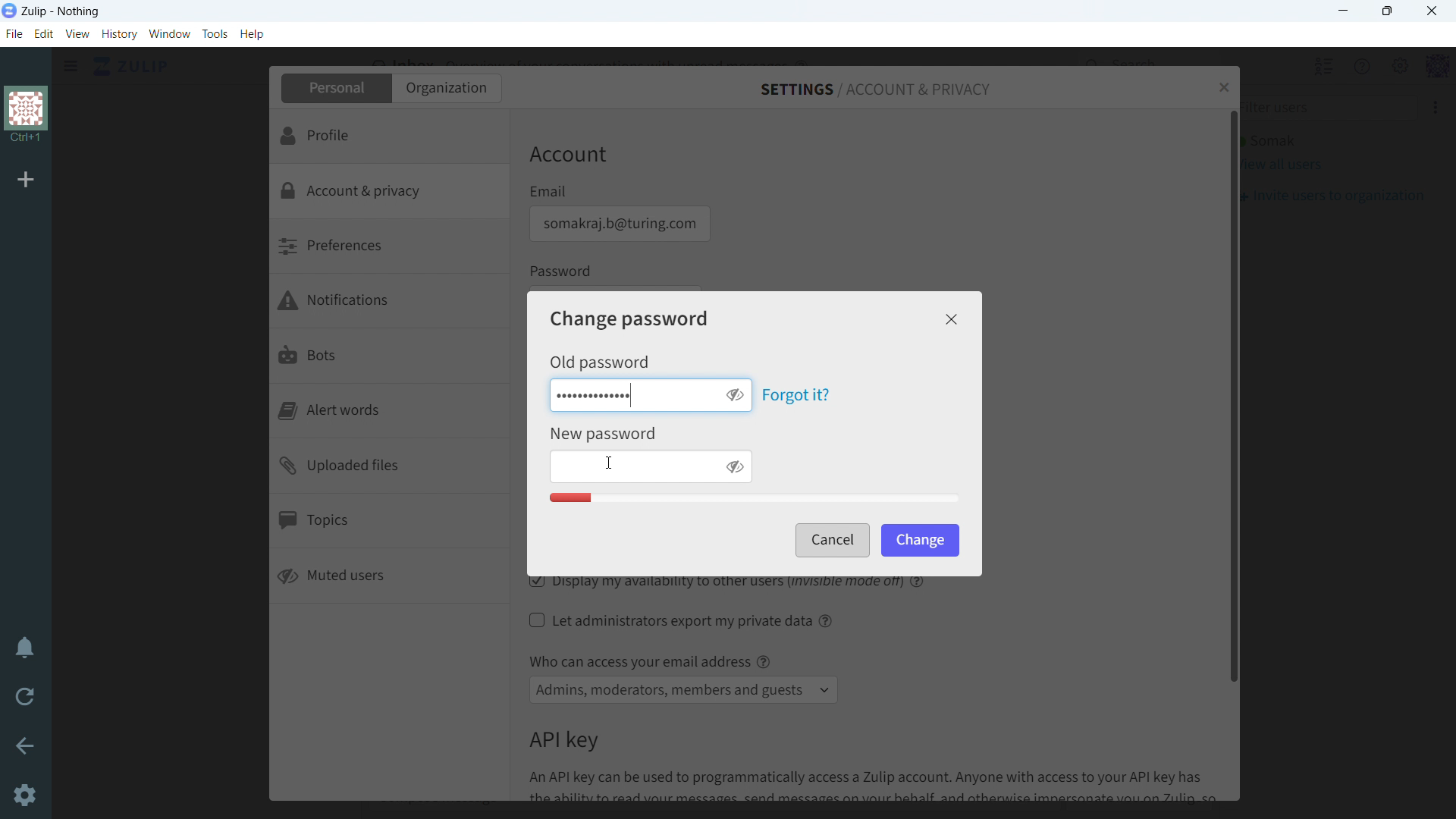 The image size is (1456, 819). What do you see at coordinates (734, 466) in the screenshot?
I see `toggle visibility` at bounding box center [734, 466].